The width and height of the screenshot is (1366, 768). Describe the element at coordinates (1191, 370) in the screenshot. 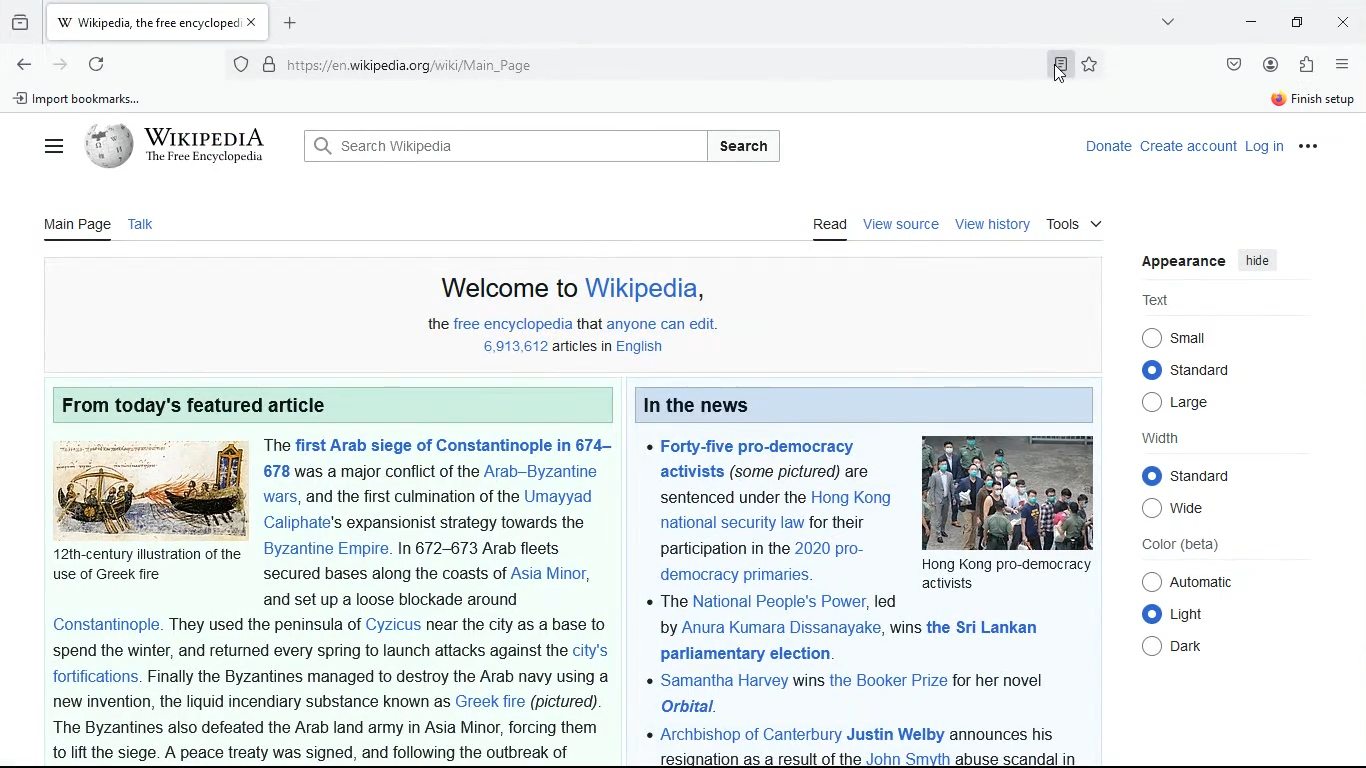

I see `standard` at that location.